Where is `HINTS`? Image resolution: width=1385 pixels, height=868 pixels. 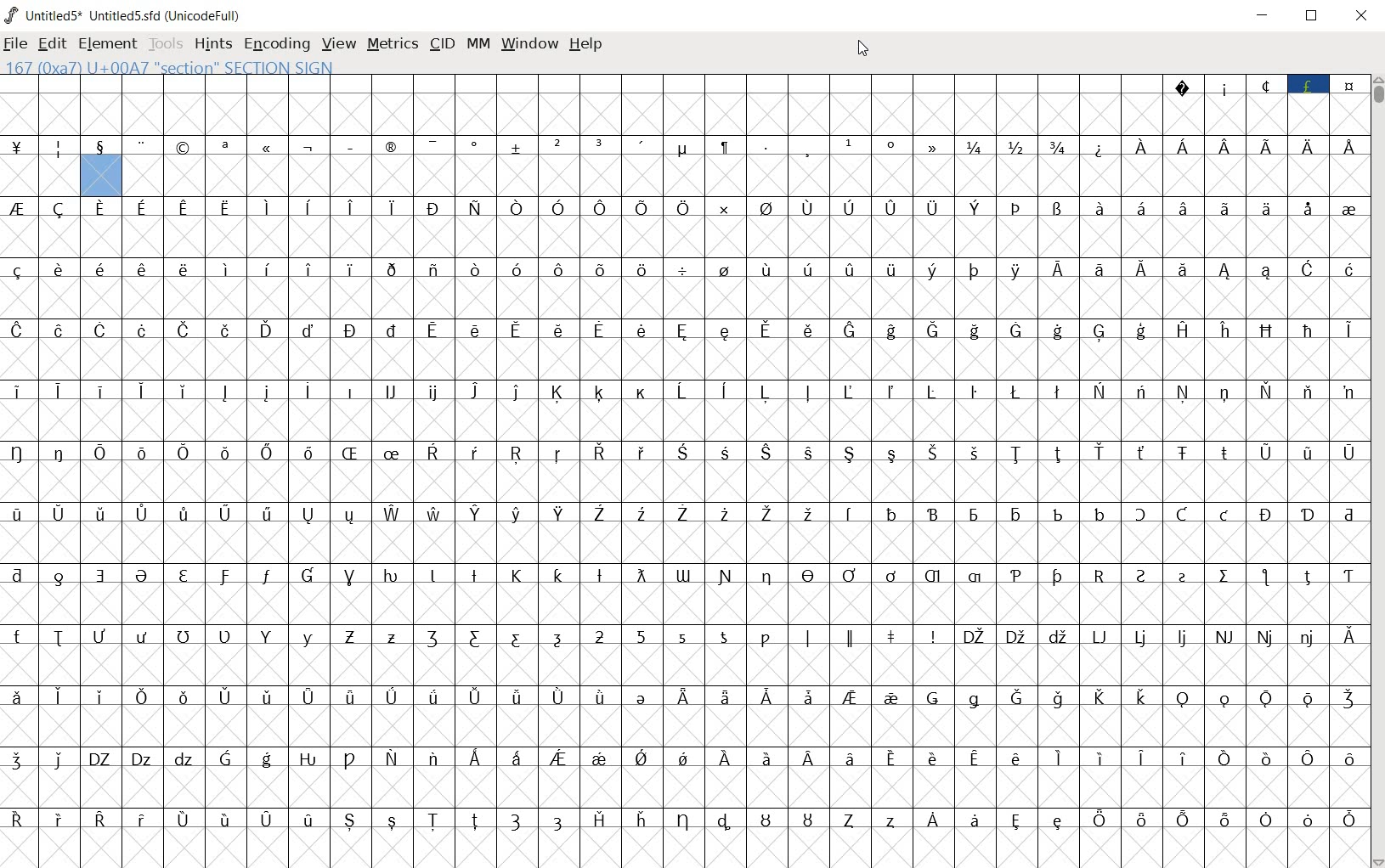
HINTS is located at coordinates (212, 45).